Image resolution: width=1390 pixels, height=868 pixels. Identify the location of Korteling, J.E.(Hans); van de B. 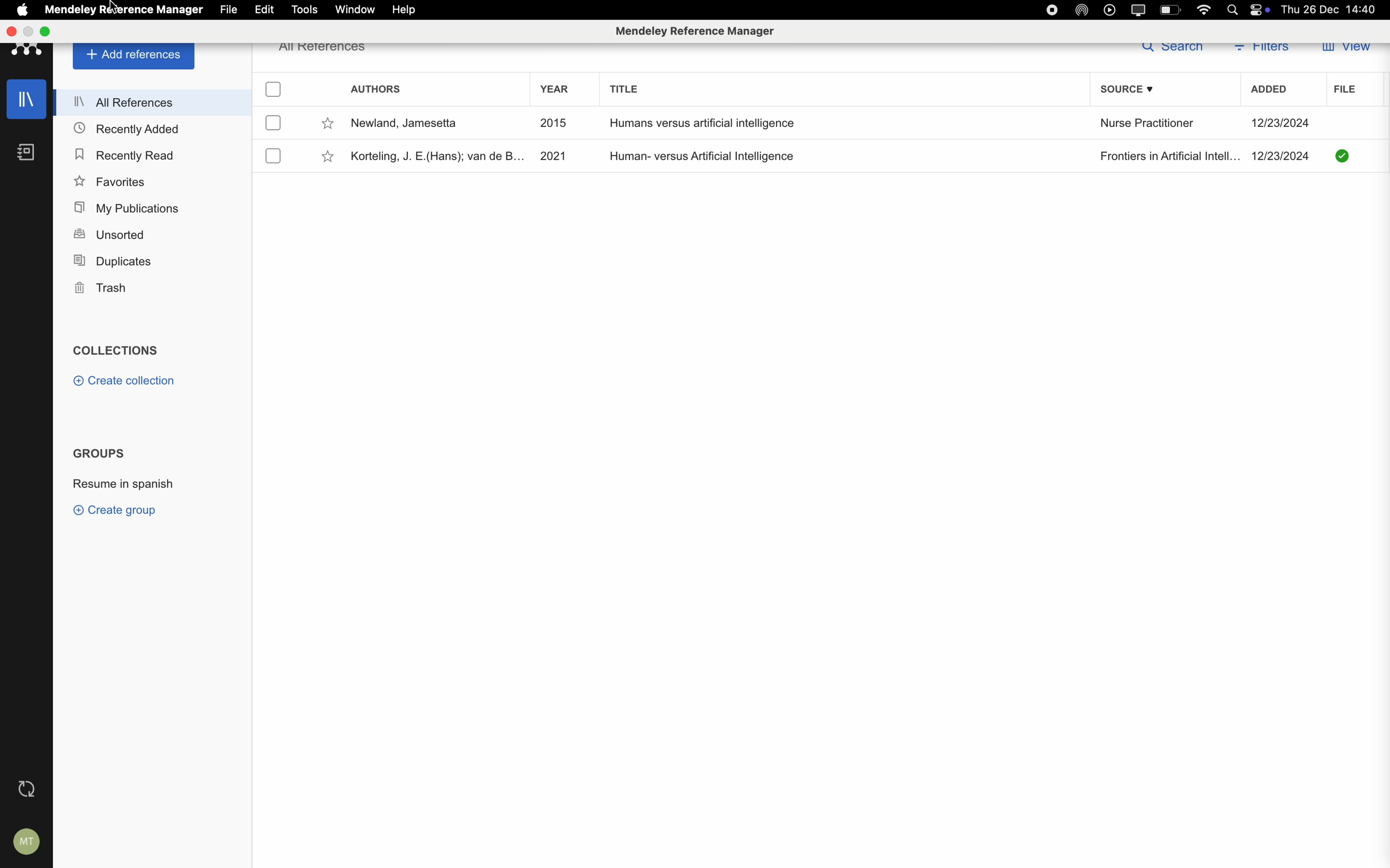
(434, 157).